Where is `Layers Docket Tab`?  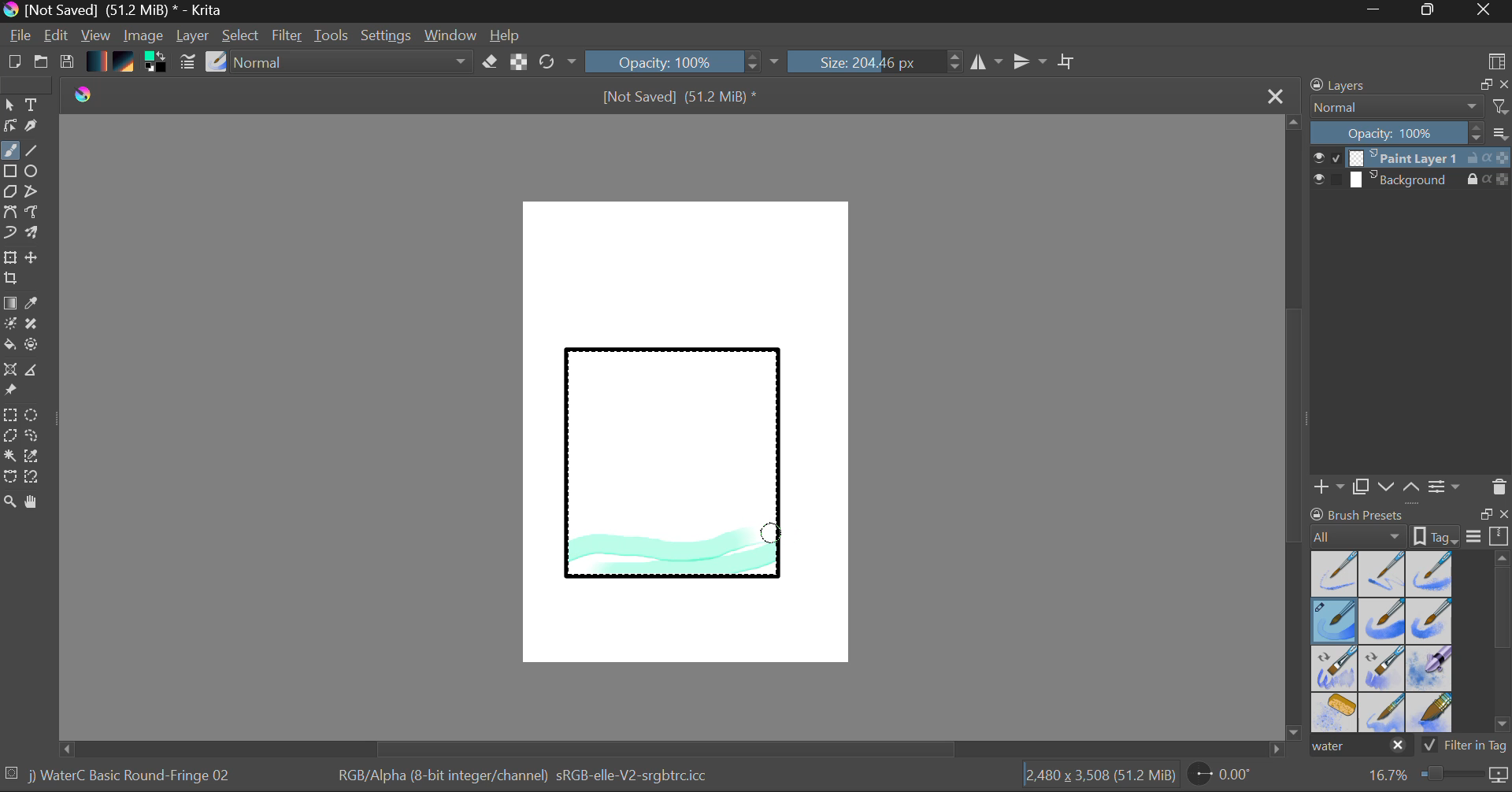
Layers Docket Tab is located at coordinates (1407, 83).